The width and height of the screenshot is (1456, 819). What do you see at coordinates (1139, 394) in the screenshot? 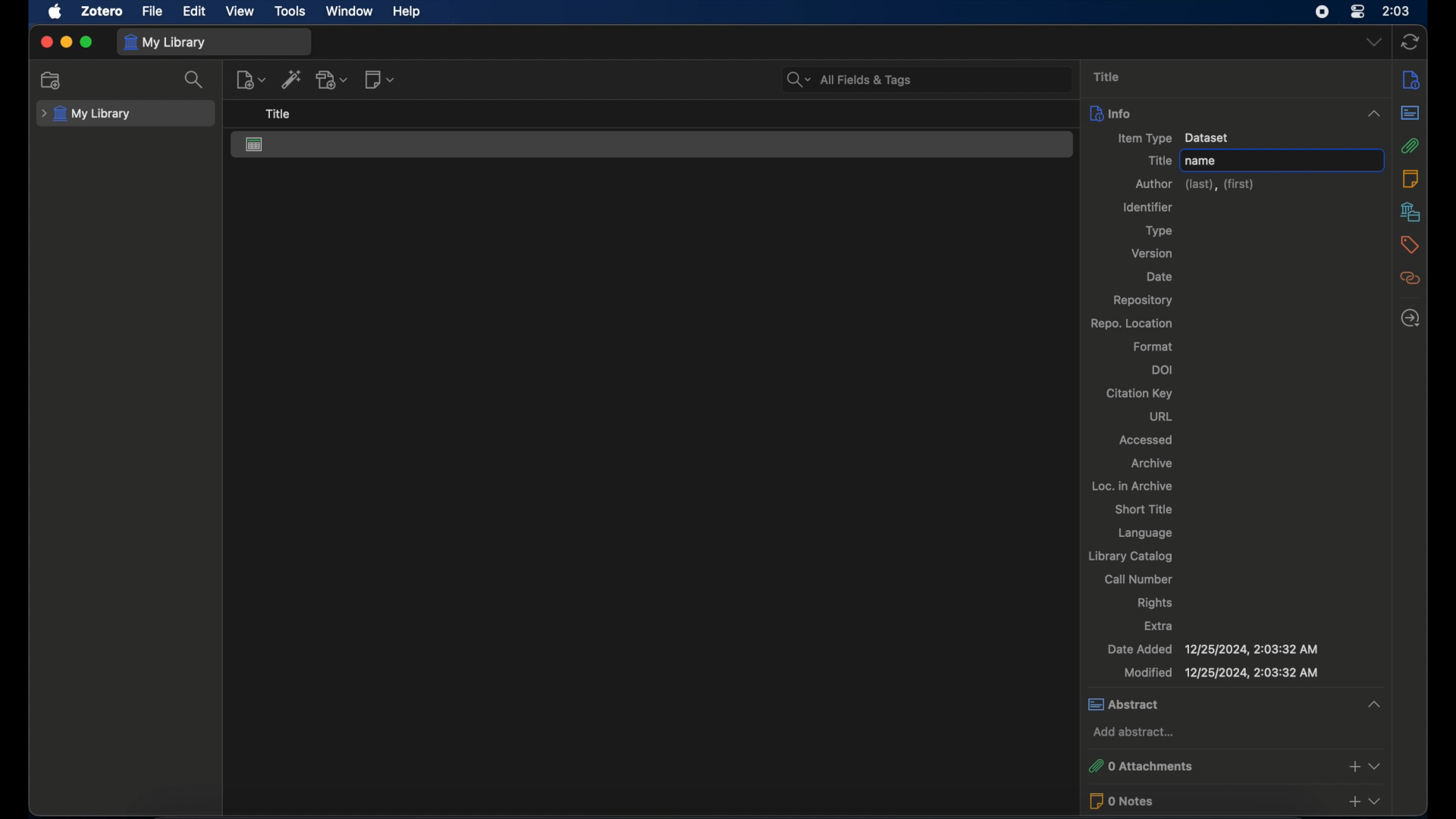
I see `citation key` at bounding box center [1139, 394].